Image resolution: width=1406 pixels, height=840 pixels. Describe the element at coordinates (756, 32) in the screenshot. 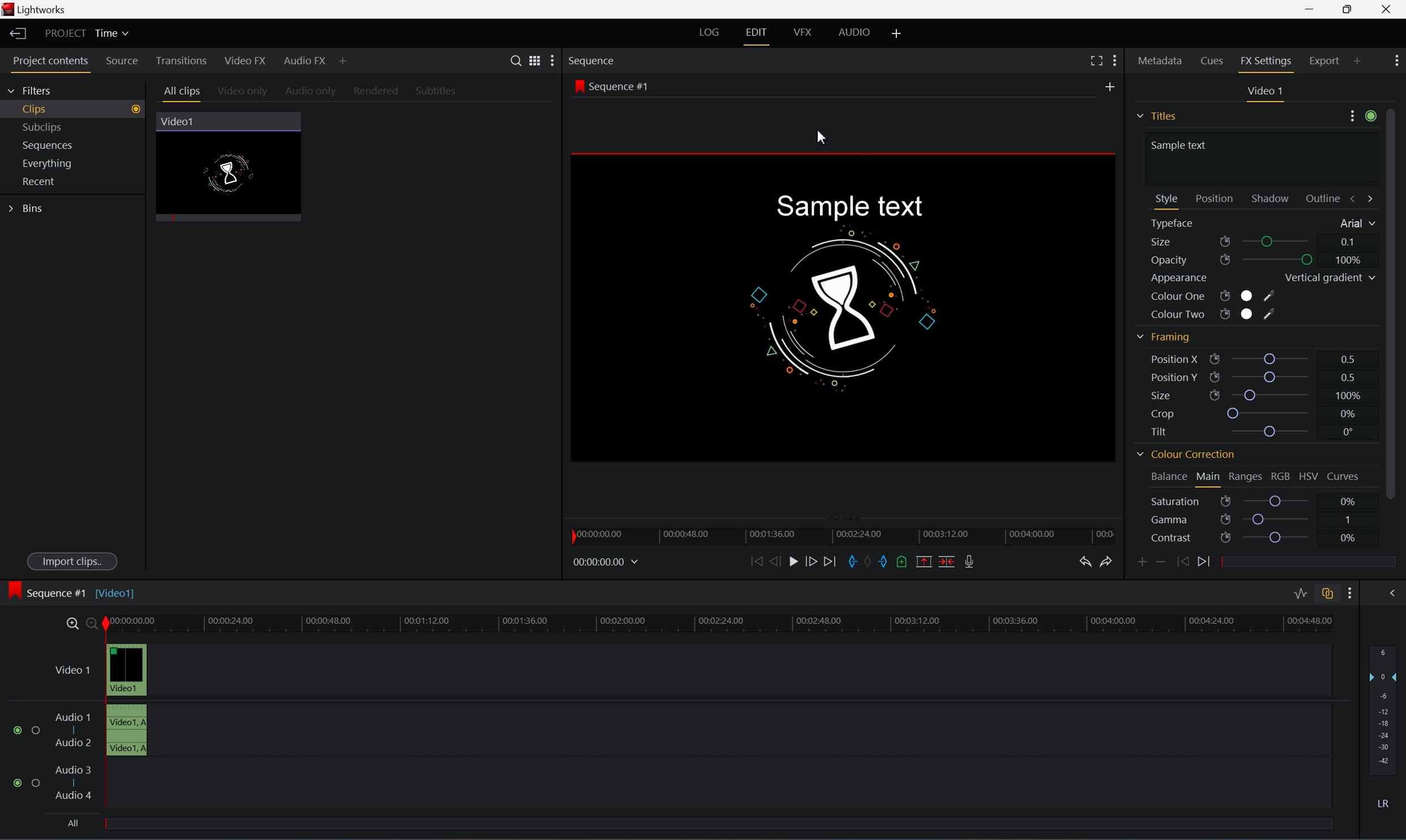

I see `edit` at that location.